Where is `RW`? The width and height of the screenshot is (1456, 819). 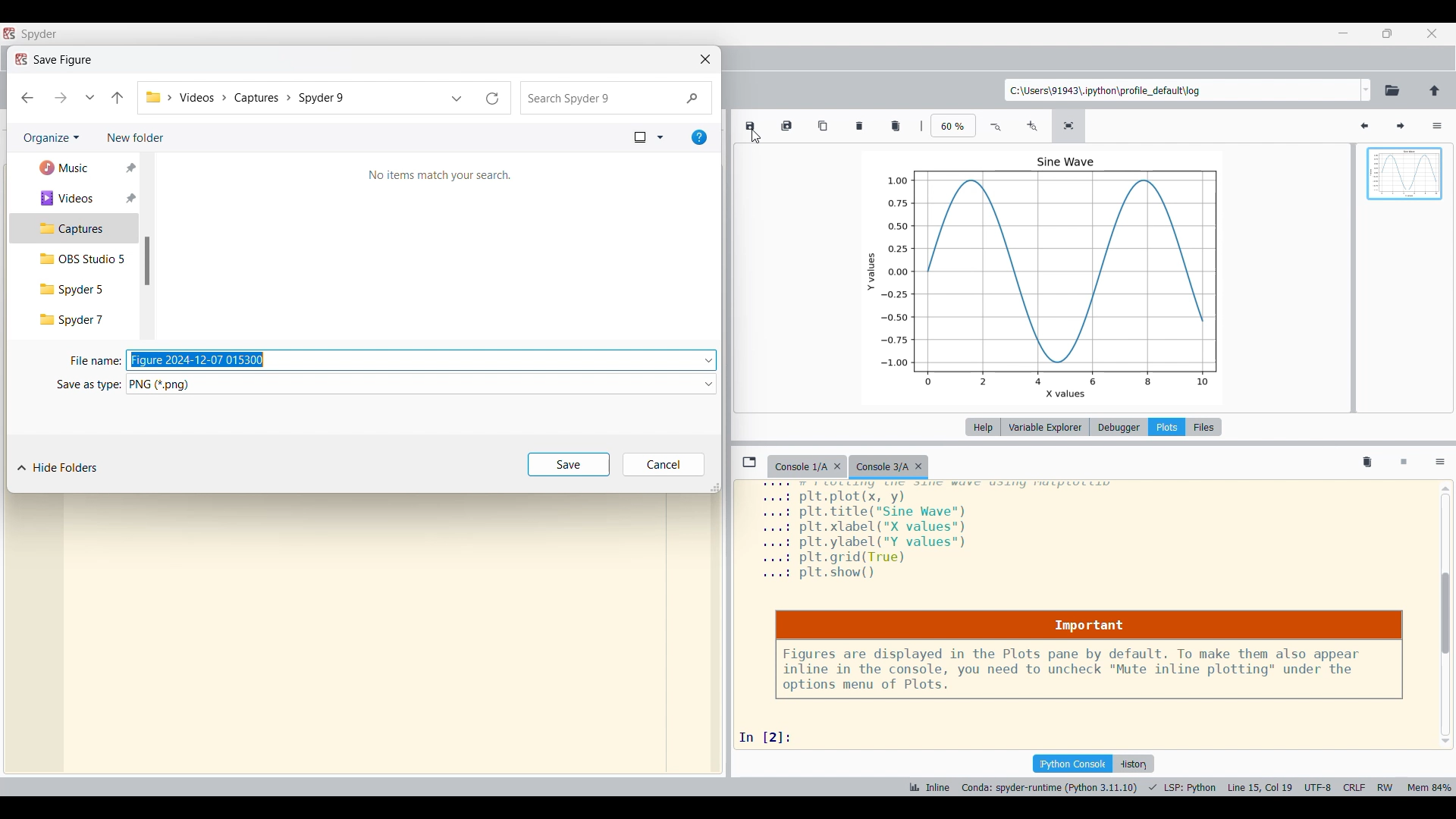 RW is located at coordinates (1385, 786).